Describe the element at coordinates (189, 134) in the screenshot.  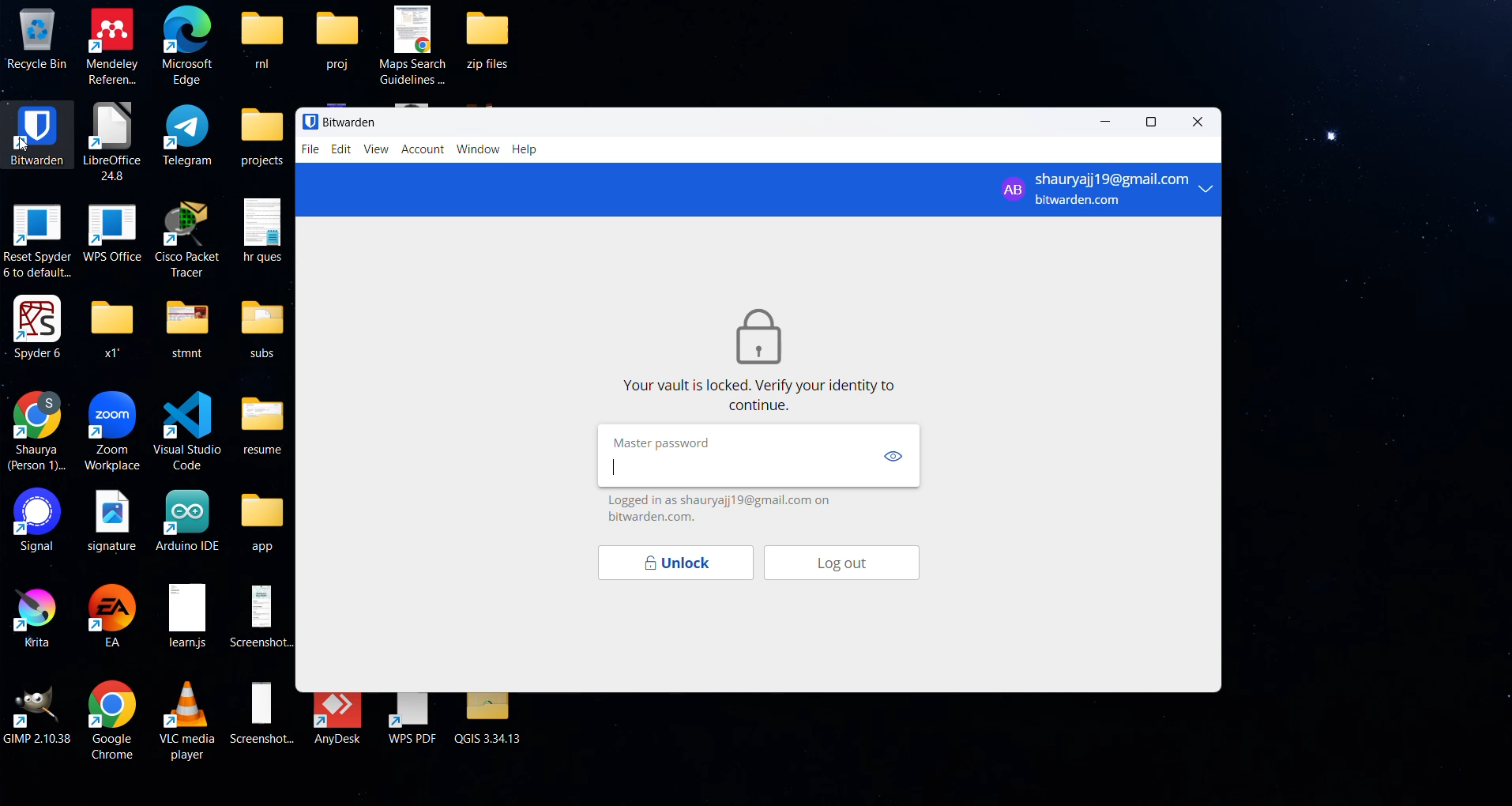
I see `Telegram` at that location.